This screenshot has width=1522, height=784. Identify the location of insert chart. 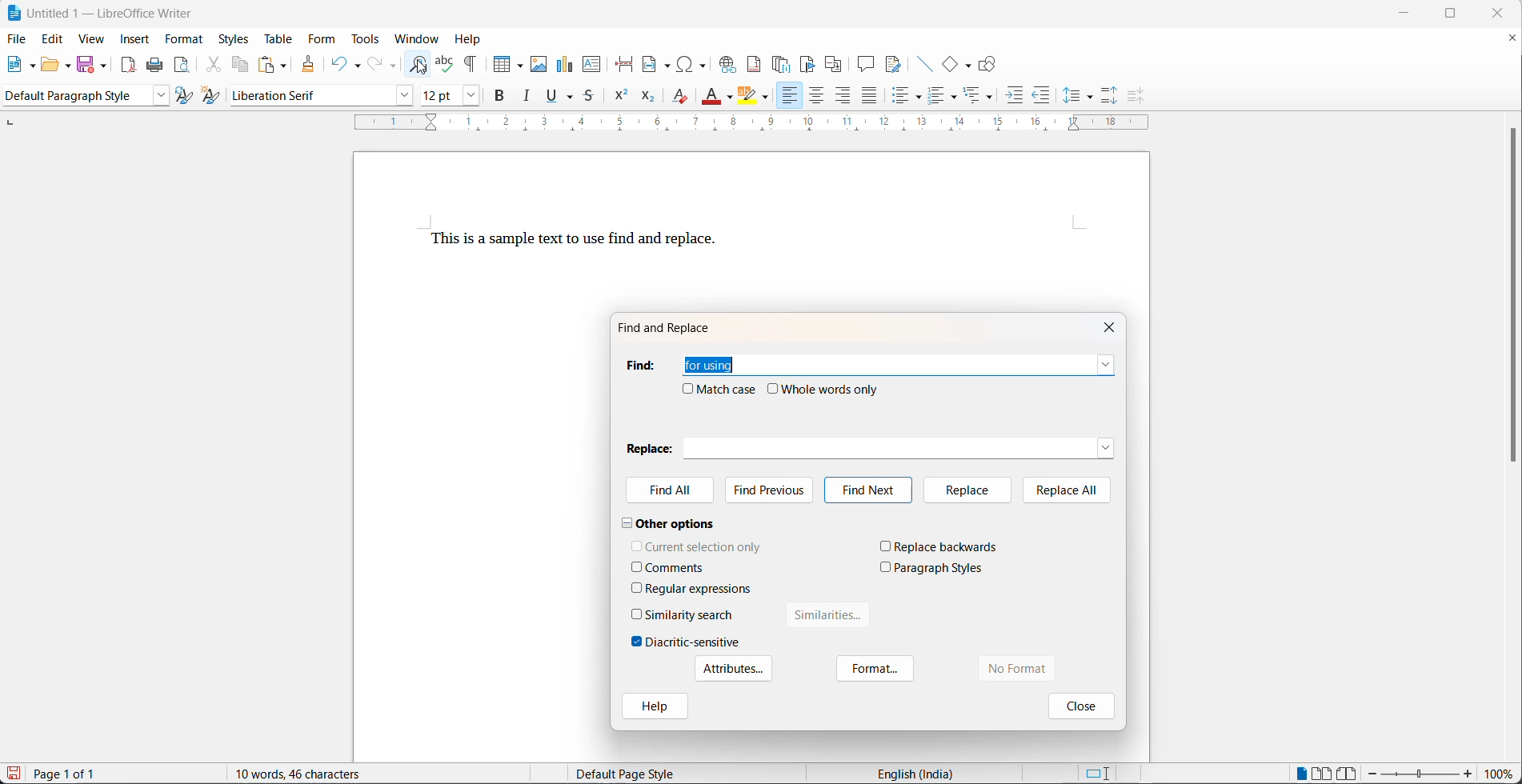
(567, 62).